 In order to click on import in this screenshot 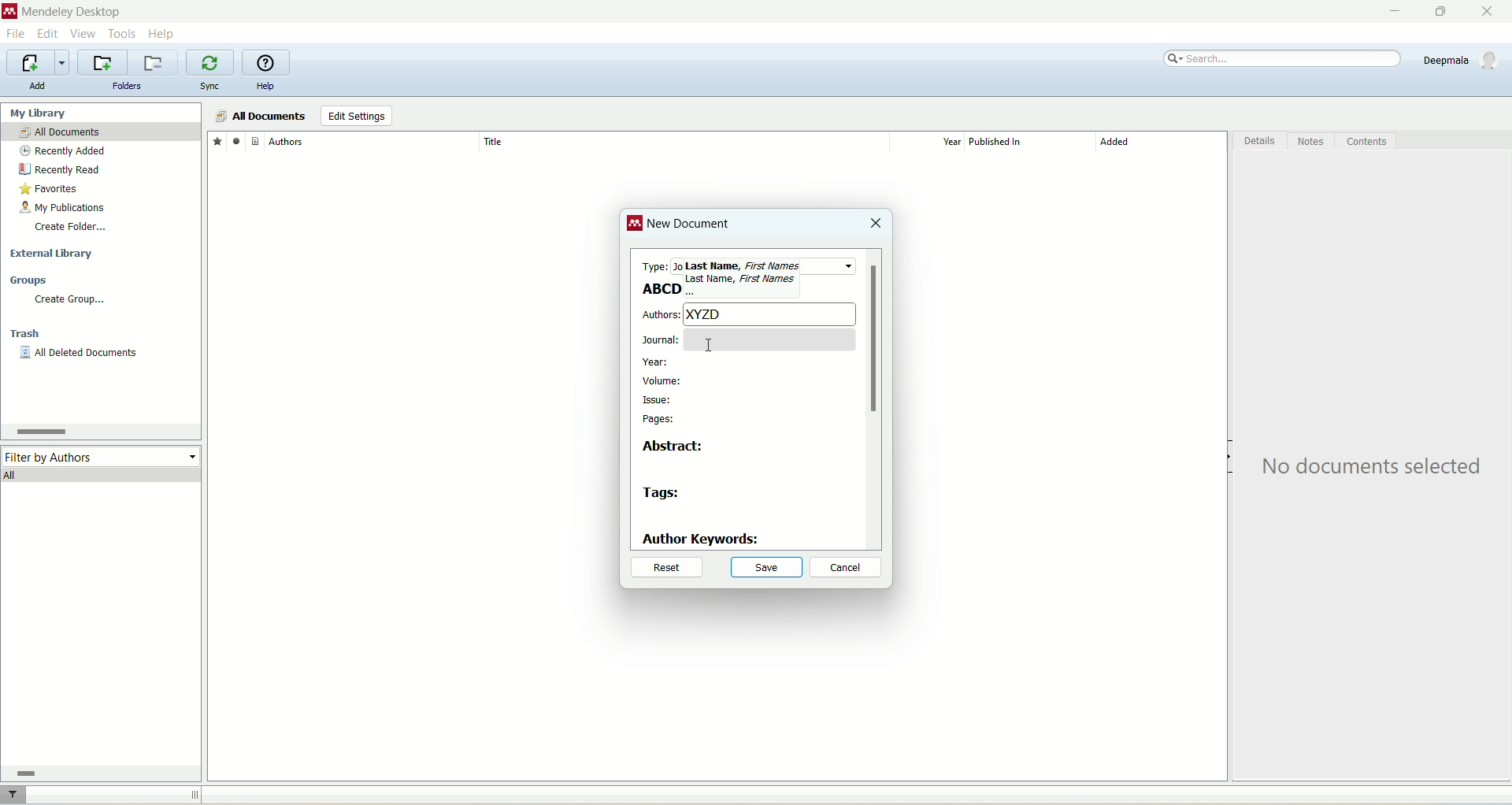, I will do `click(35, 63)`.